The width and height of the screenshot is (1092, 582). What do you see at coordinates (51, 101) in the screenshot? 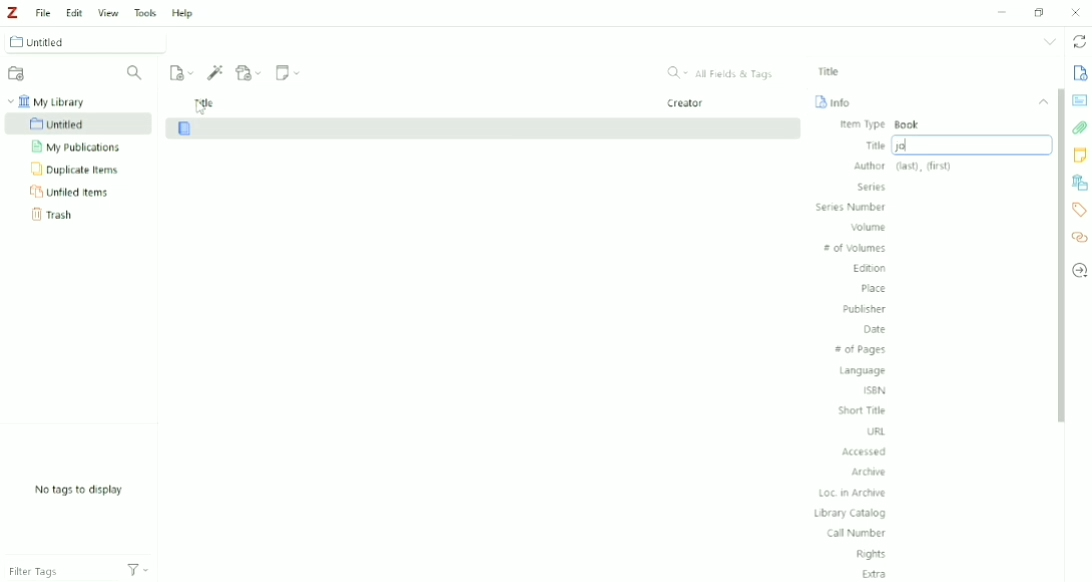
I see `My Library` at bounding box center [51, 101].